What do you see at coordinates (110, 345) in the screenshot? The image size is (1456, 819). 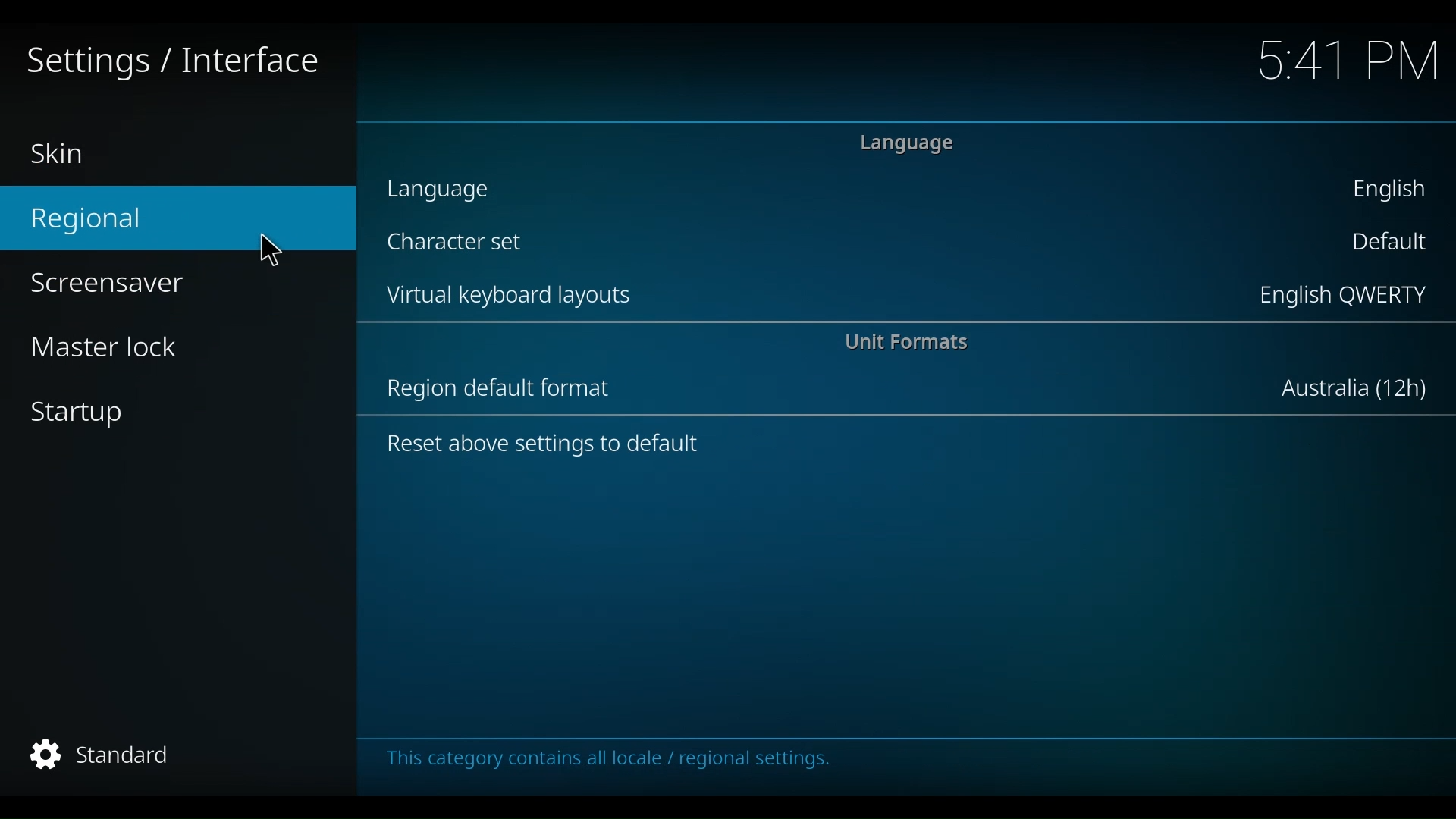 I see `Master Lock` at bounding box center [110, 345].